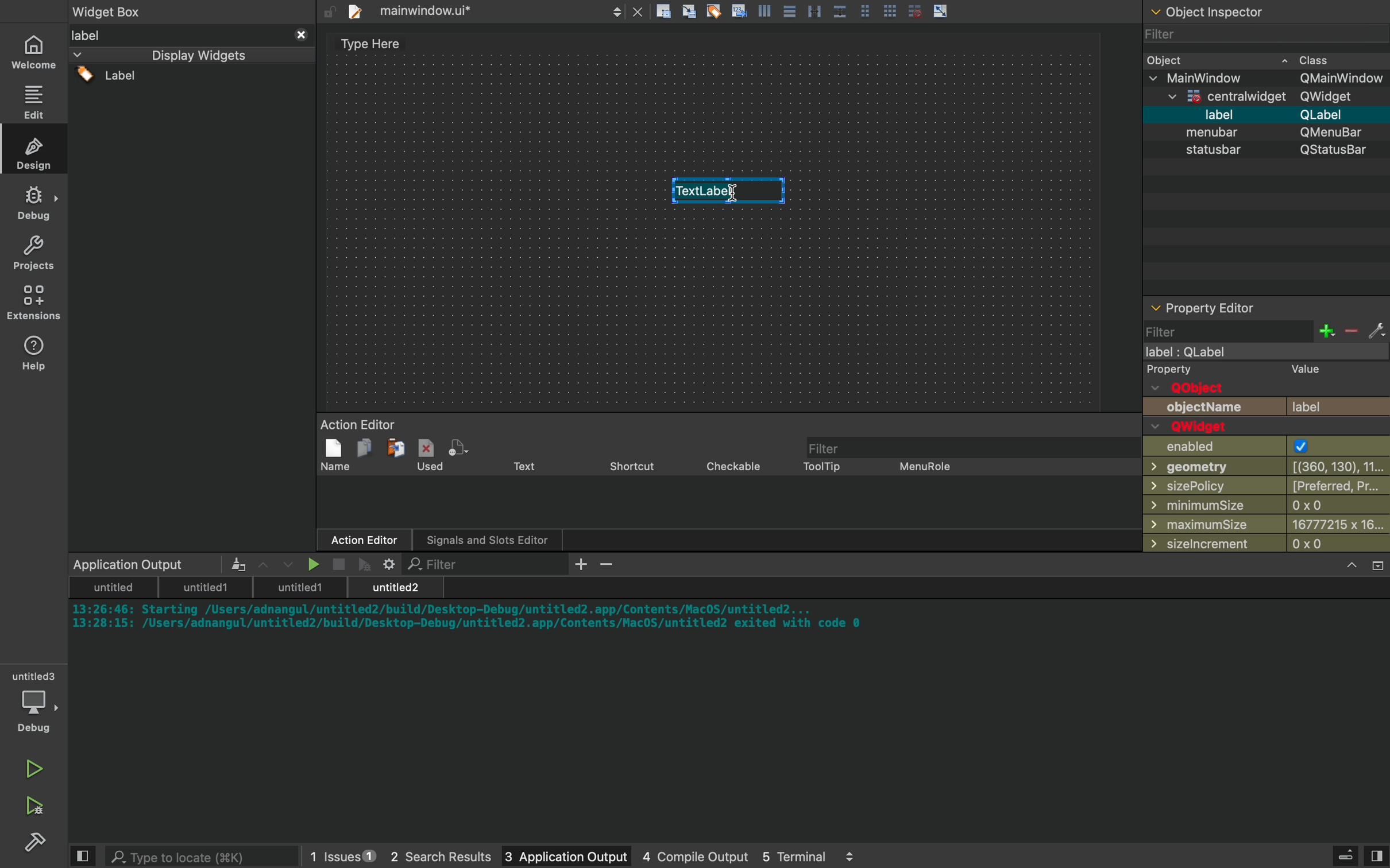 The width and height of the screenshot is (1390, 868). I want to click on widget box, so click(125, 10).